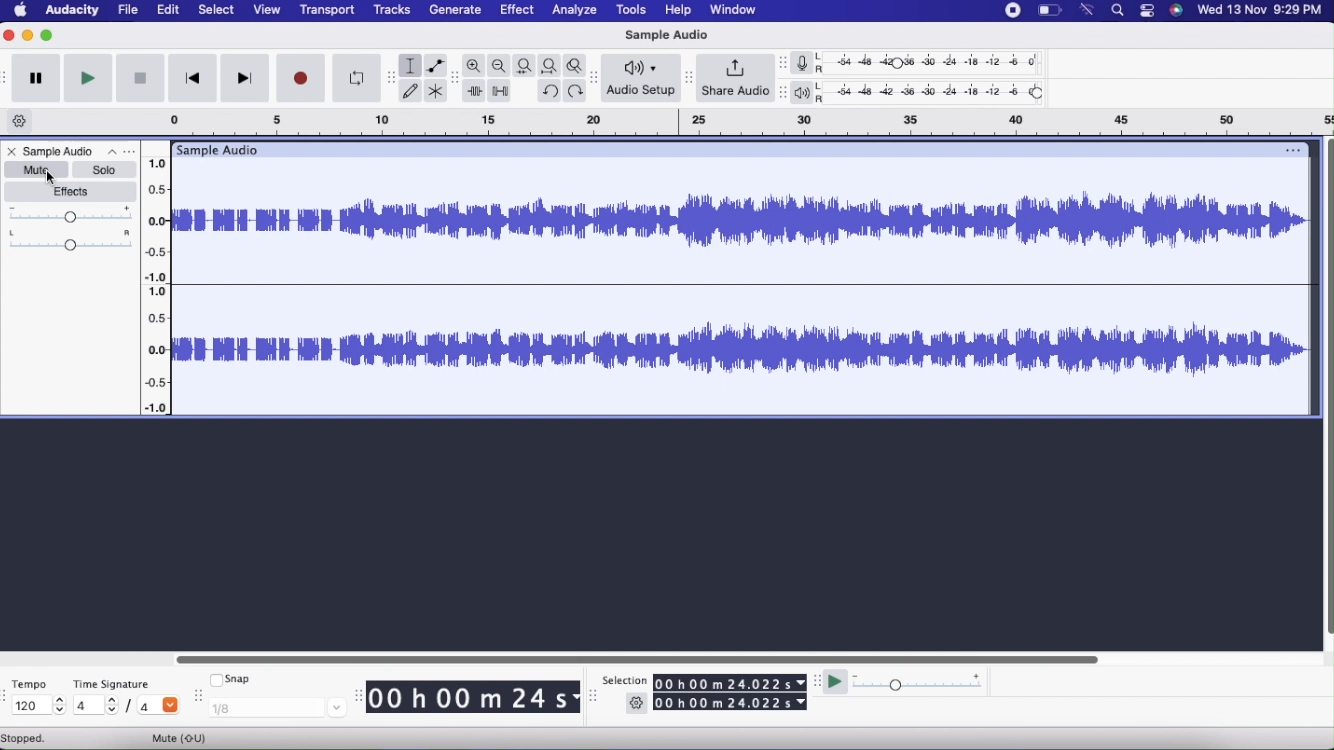  I want to click on 00 h 00 m 24 s, so click(474, 698).